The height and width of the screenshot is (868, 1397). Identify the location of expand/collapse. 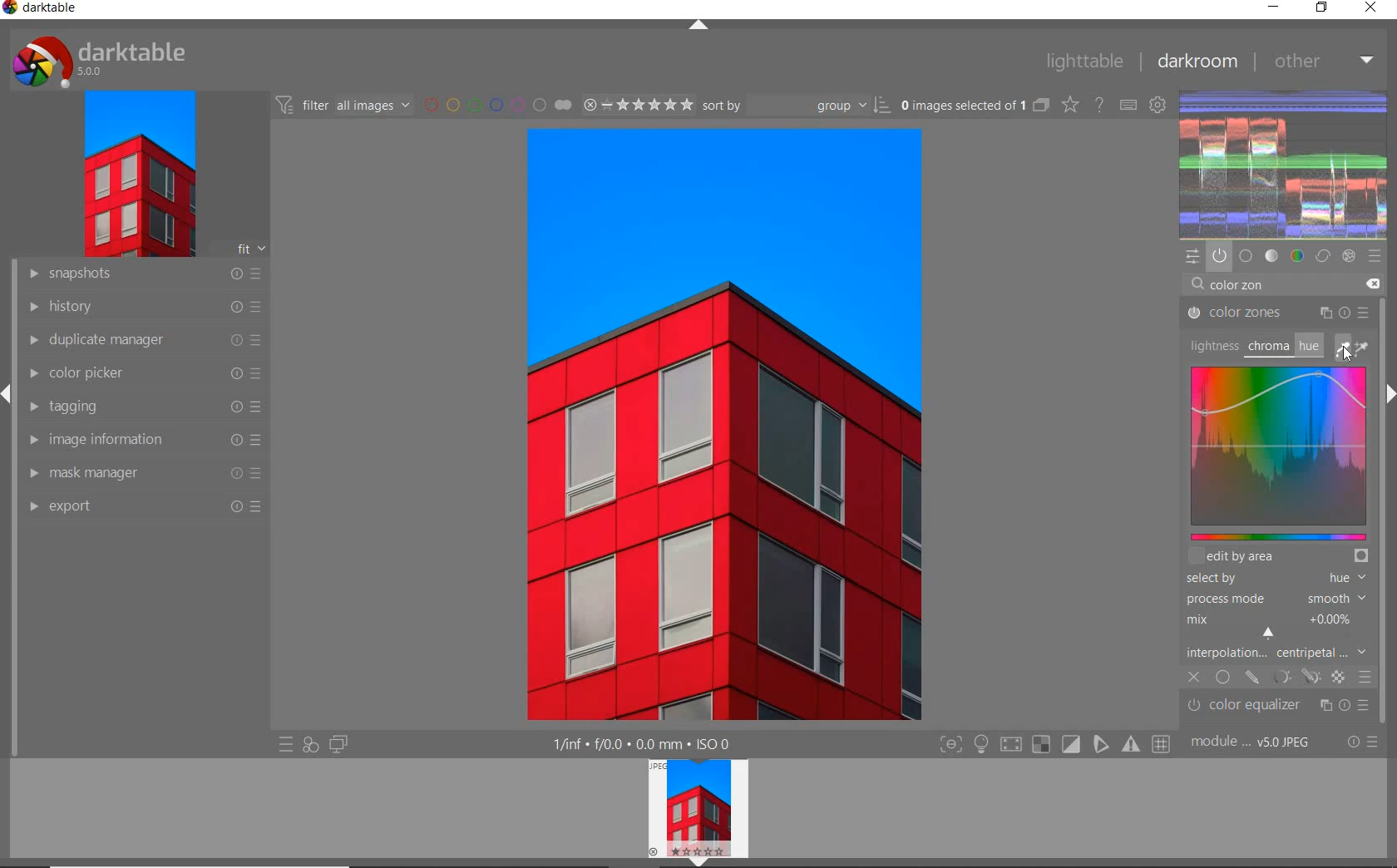
(8, 389).